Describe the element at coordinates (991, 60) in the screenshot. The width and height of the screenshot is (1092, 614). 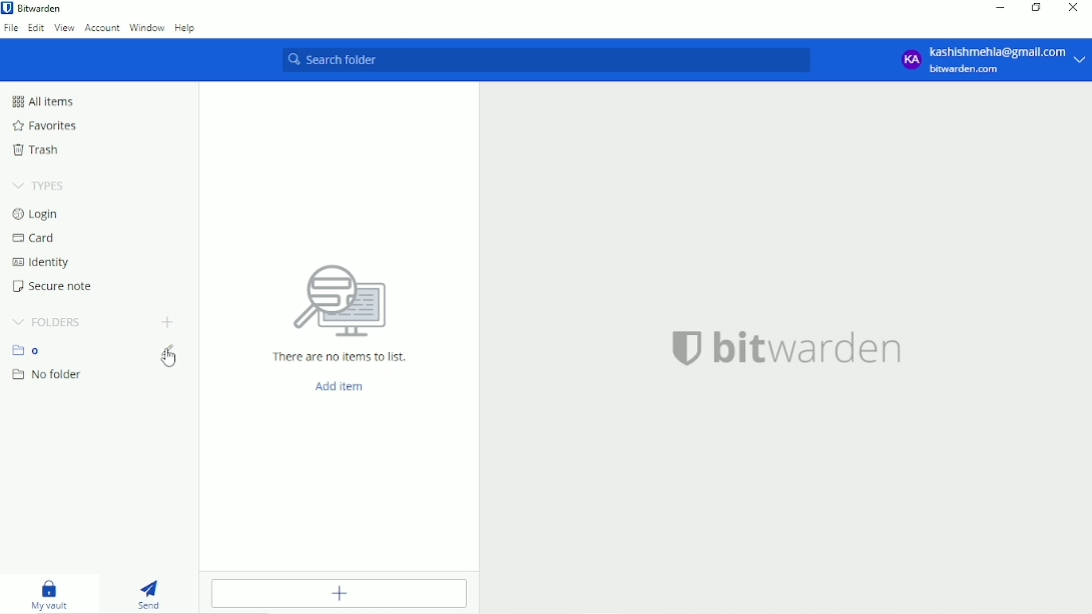
I see `Account` at that location.